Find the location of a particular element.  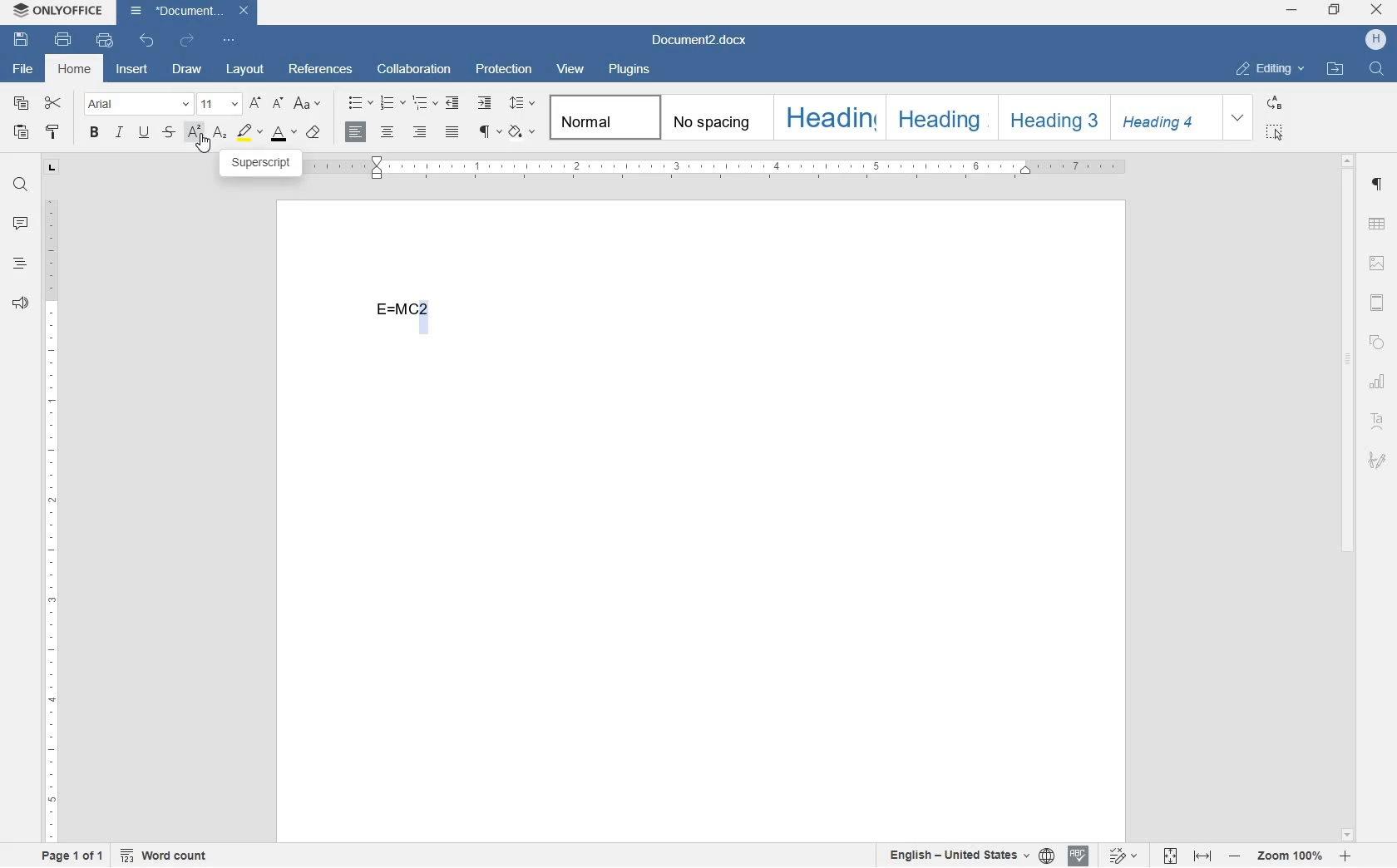

CURSOR is located at coordinates (205, 148).